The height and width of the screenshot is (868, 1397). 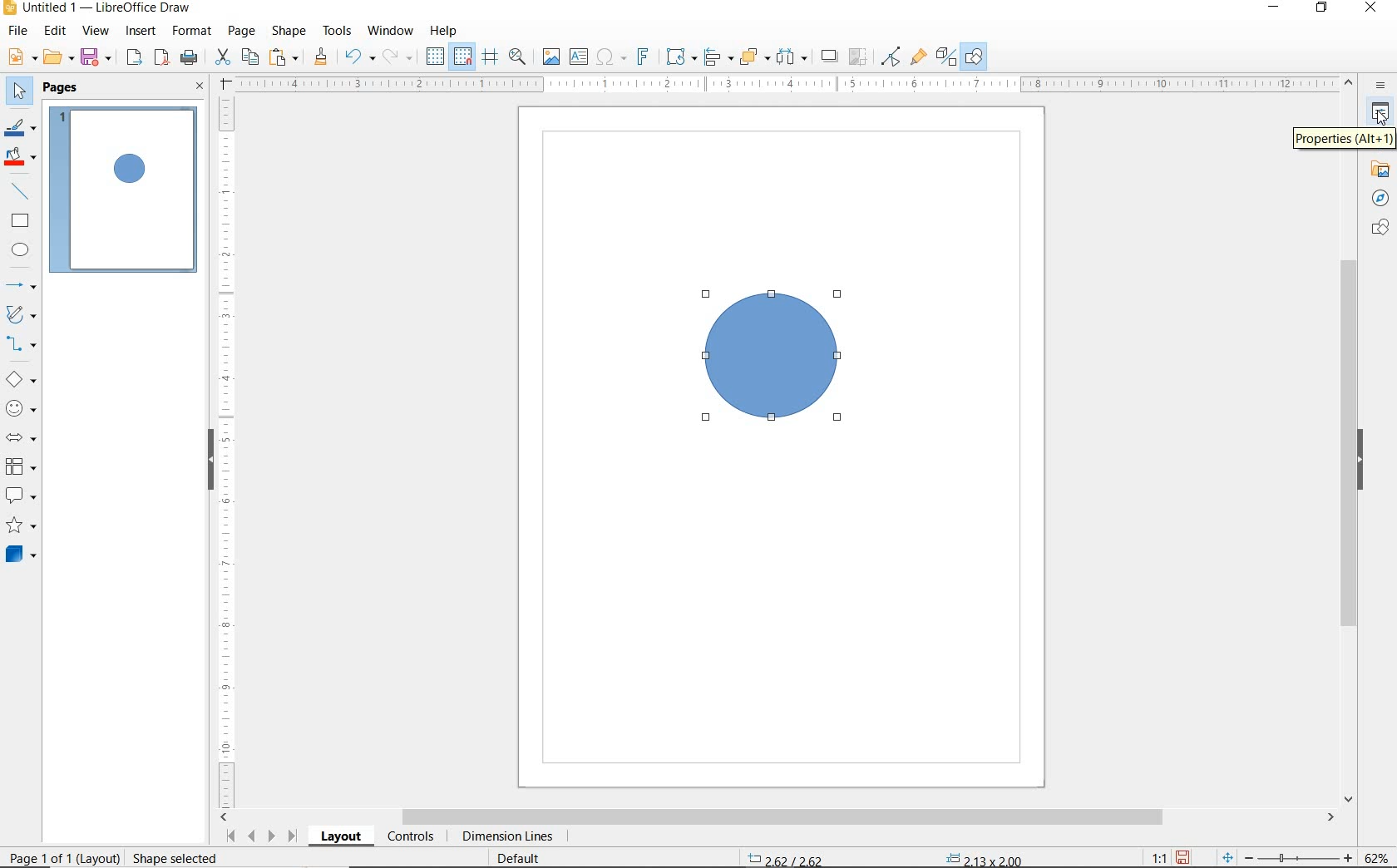 I want to click on CLOSE, so click(x=199, y=86).